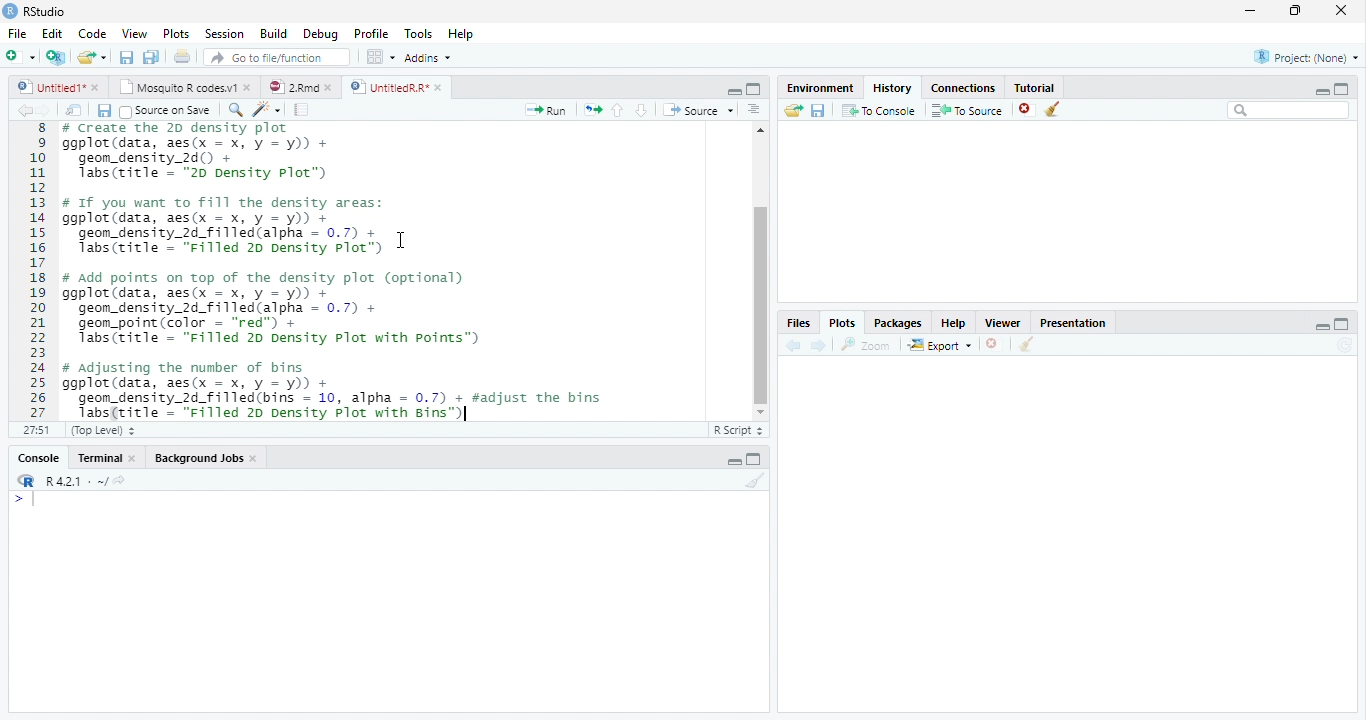 The image size is (1366, 720). I want to click on close, so click(440, 87).